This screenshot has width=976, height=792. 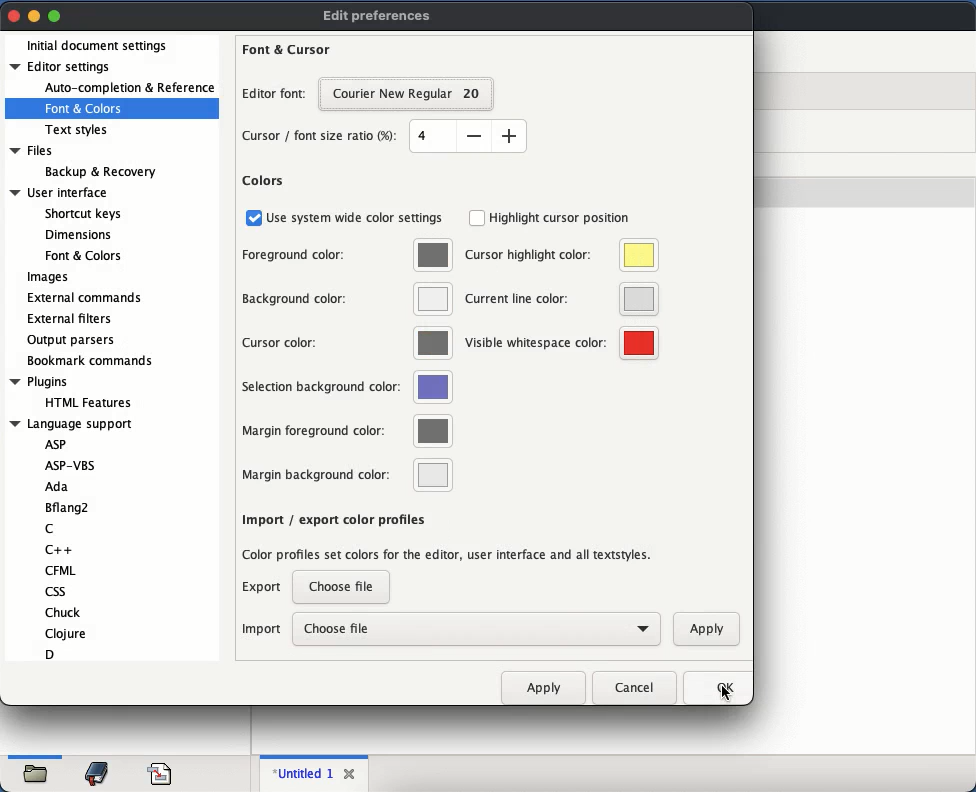 I want to click on code, so click(x=160, y=771).